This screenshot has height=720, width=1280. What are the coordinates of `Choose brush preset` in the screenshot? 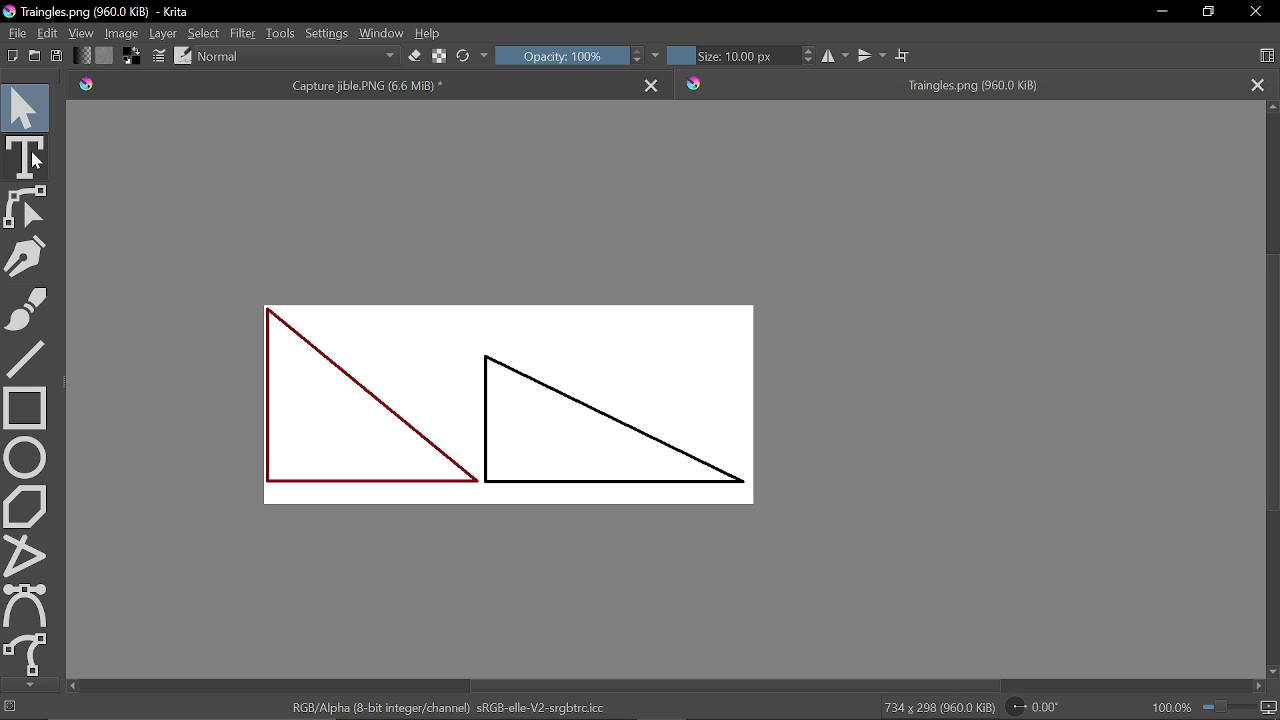 It's located at (183, 55).